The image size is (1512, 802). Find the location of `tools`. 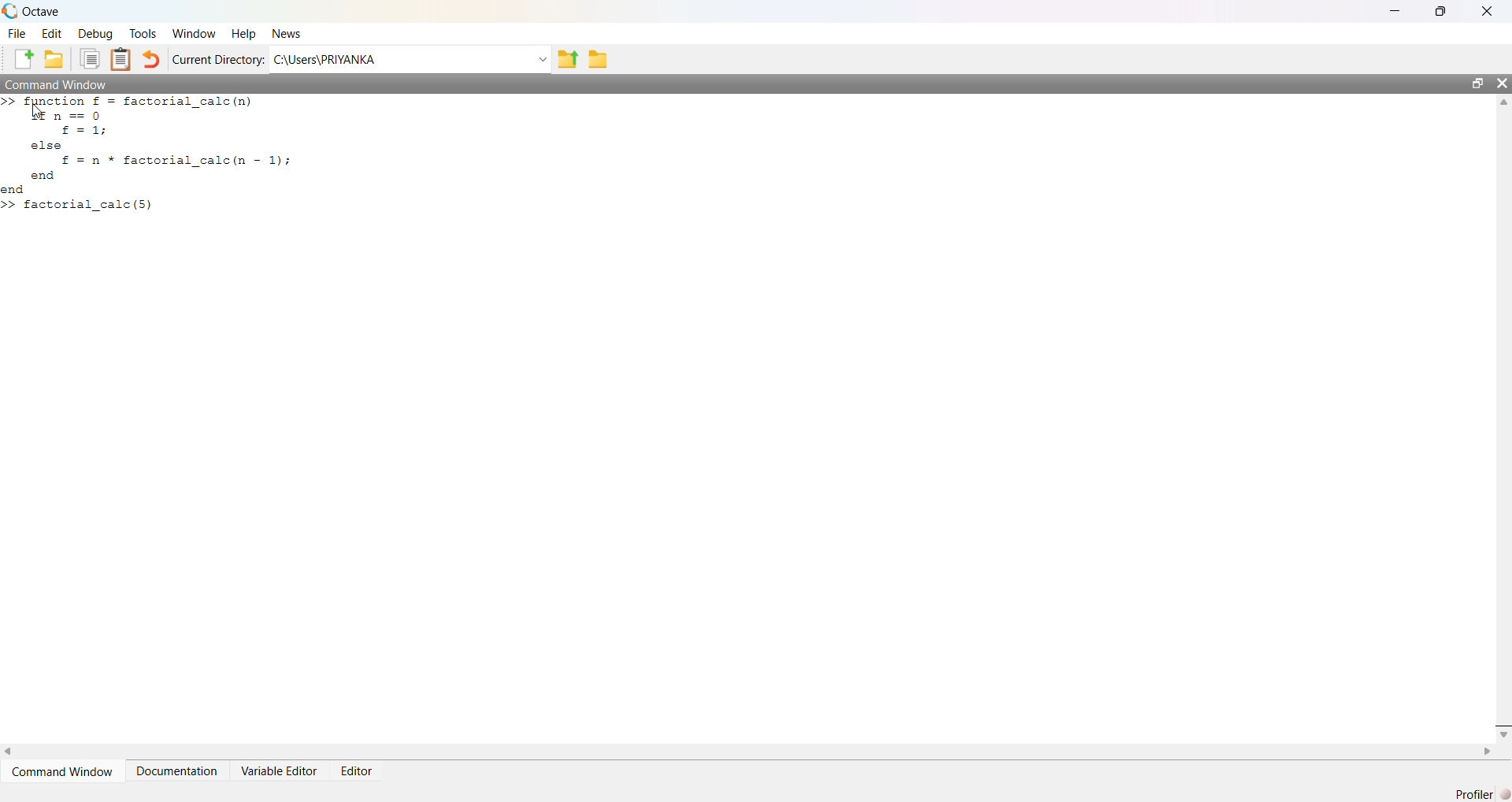

tools is located at coordinates (144, 35).